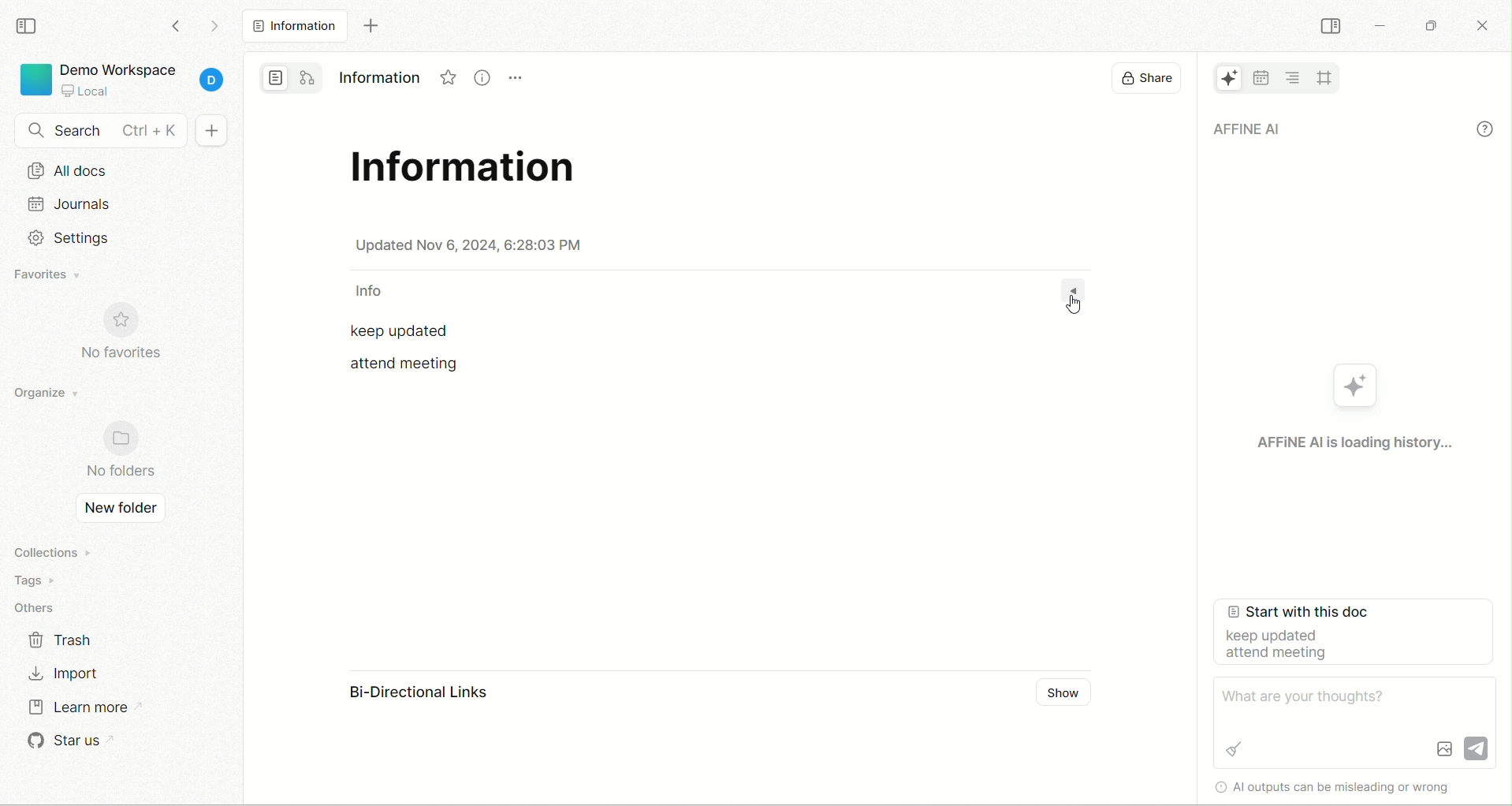 This screenshot has width=1512, height=806. What do you see at coordinates (1065, 692) in the screenshot?
I see `Show` at bounding box center [1065, 692].